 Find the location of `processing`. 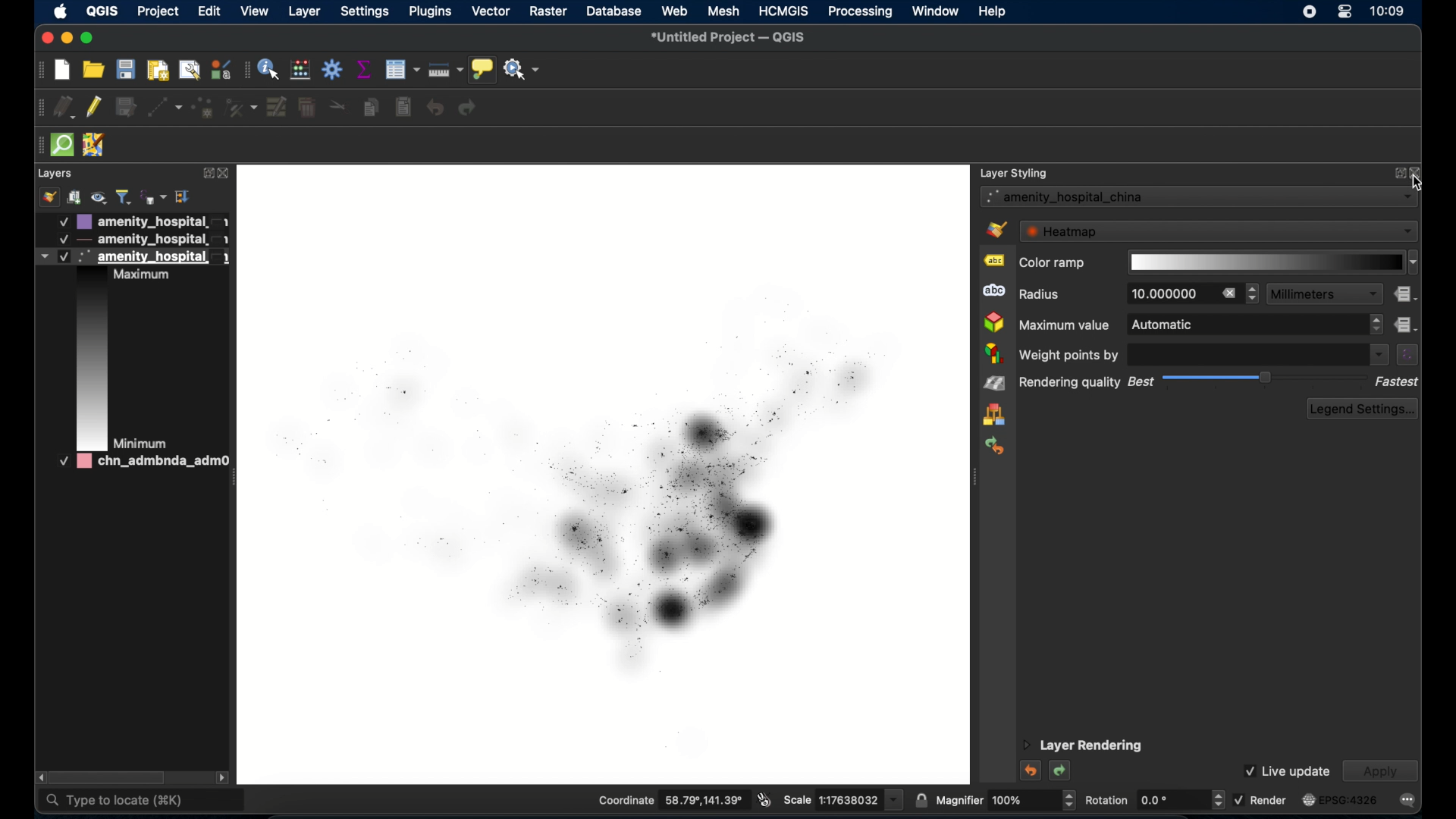

processing is located at coordinates (859, 12).